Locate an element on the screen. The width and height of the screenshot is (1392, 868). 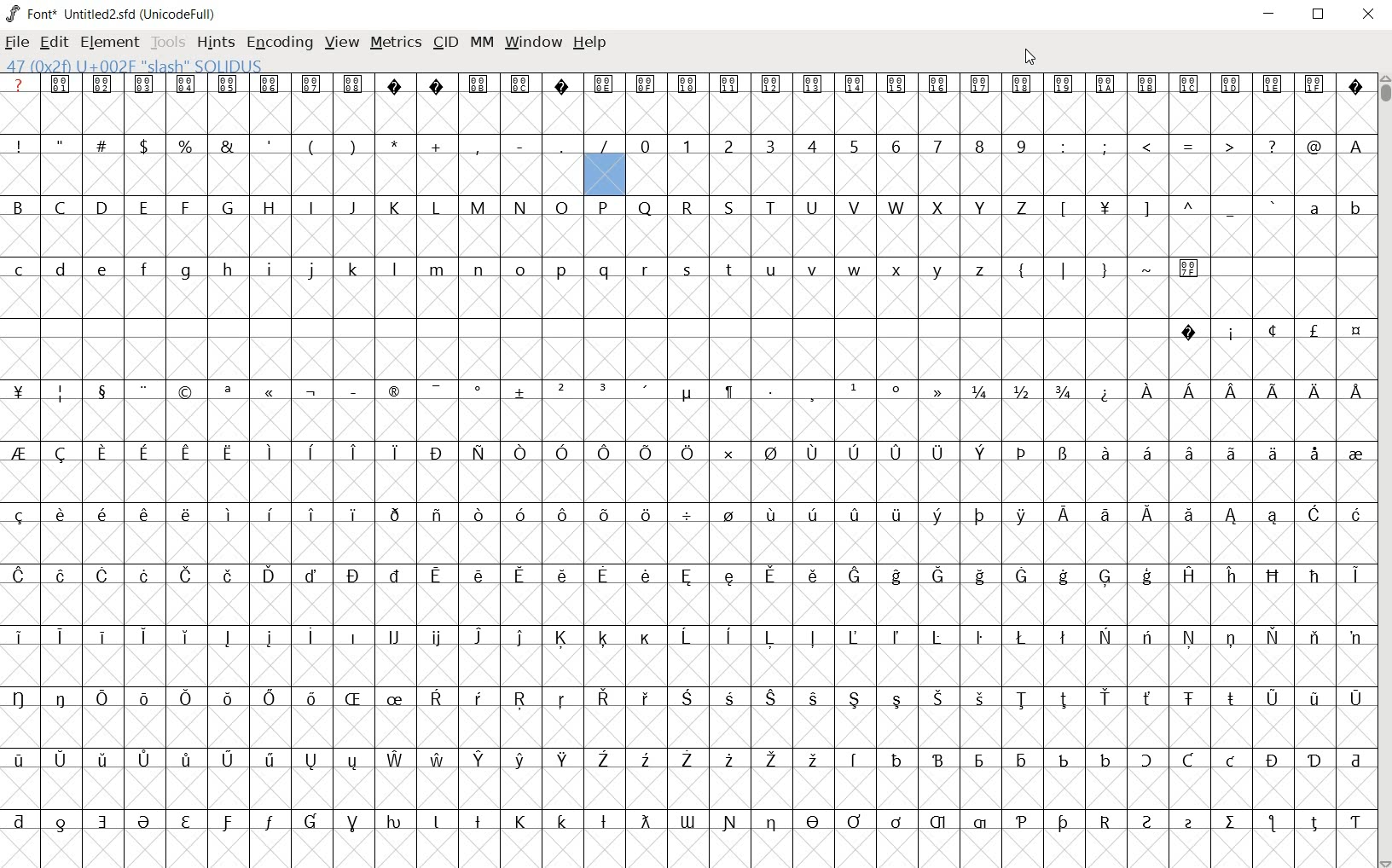
symbols is located at coordinates (1106, 267).